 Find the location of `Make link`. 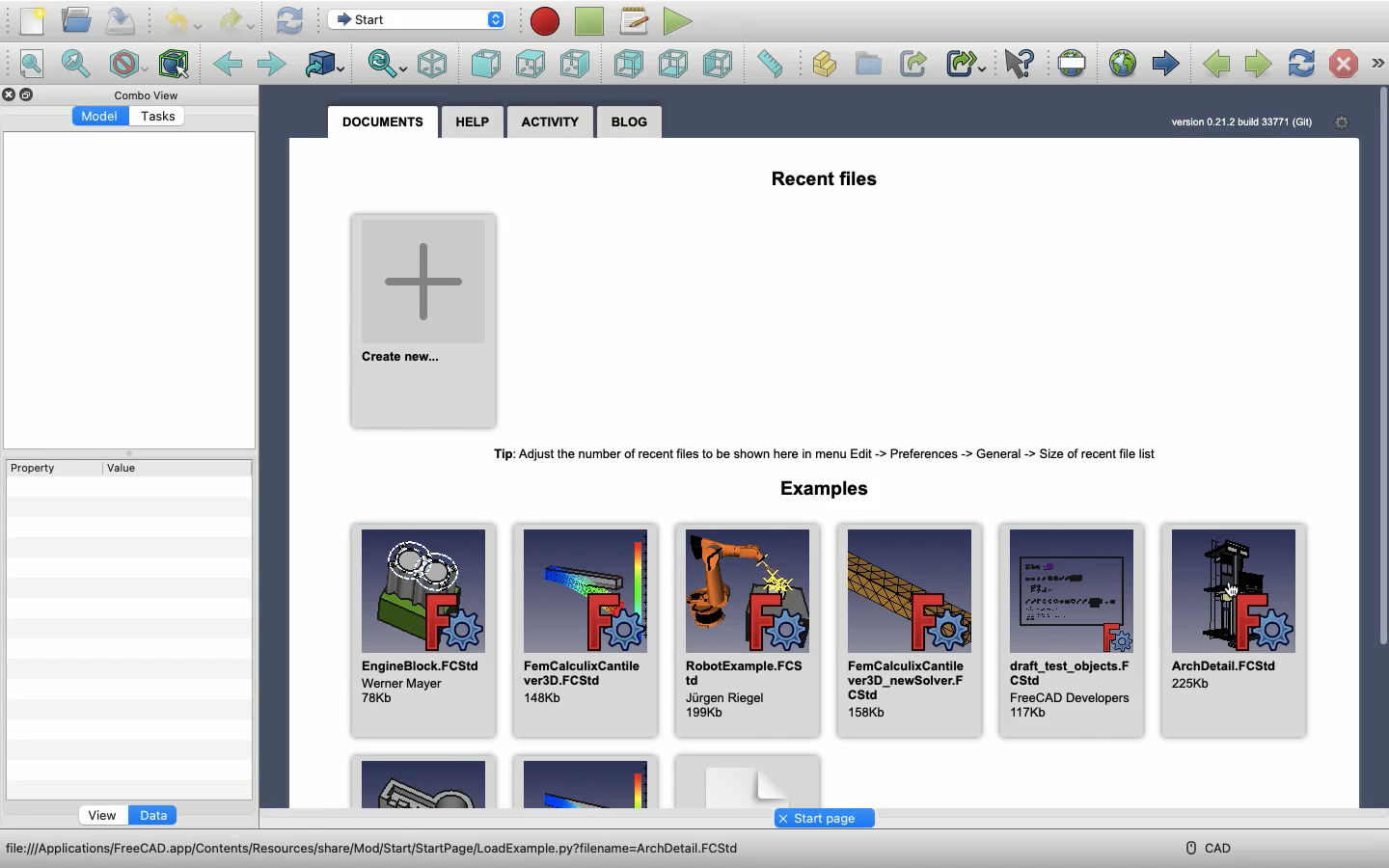

Make link is located at coordinates (912, 64).